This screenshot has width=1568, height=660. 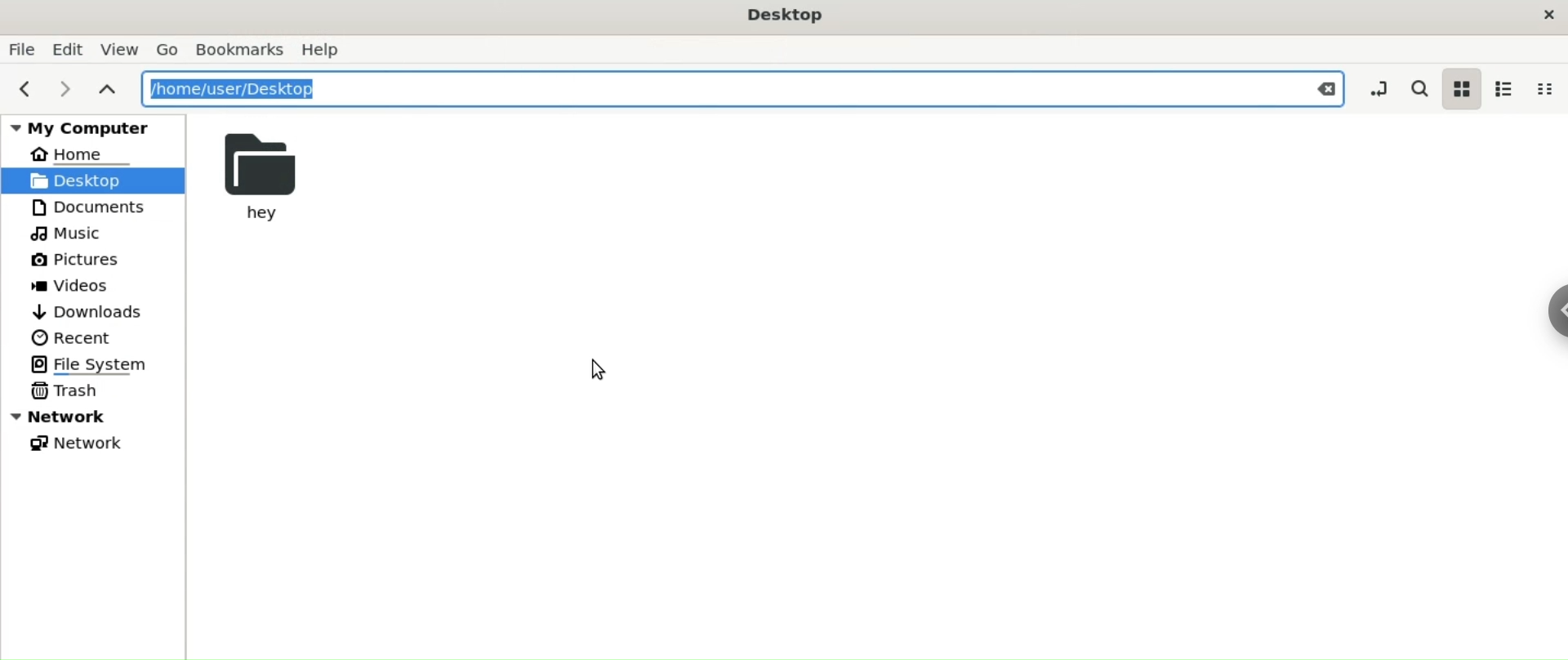 What do you see at coordinates (93, 126) in the screenshot?
I see `My Computer` at bounding box center [93, 126].